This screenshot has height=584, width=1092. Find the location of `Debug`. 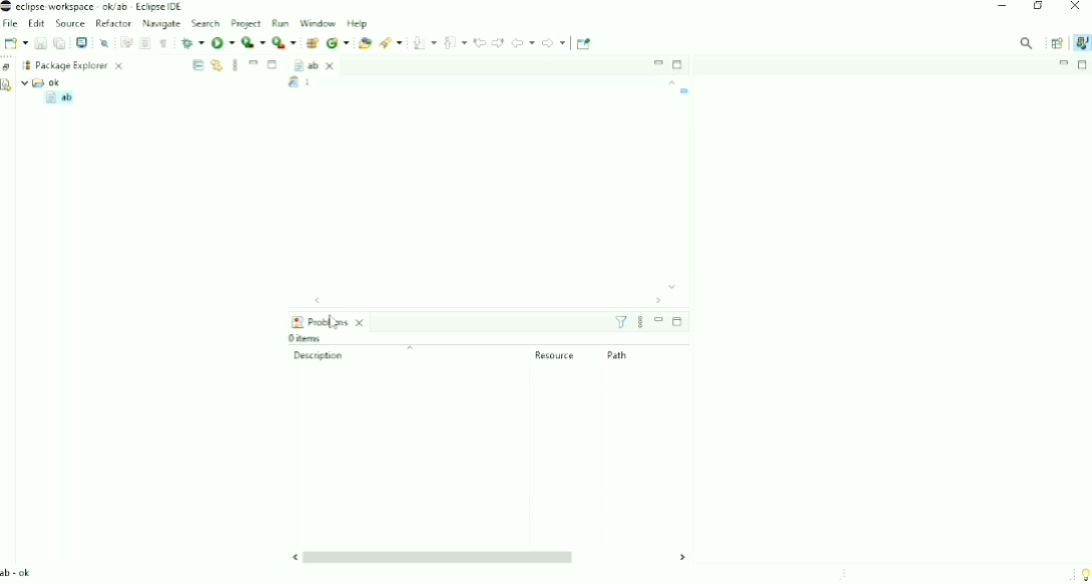

Debug is located at coordinates (193, 43).